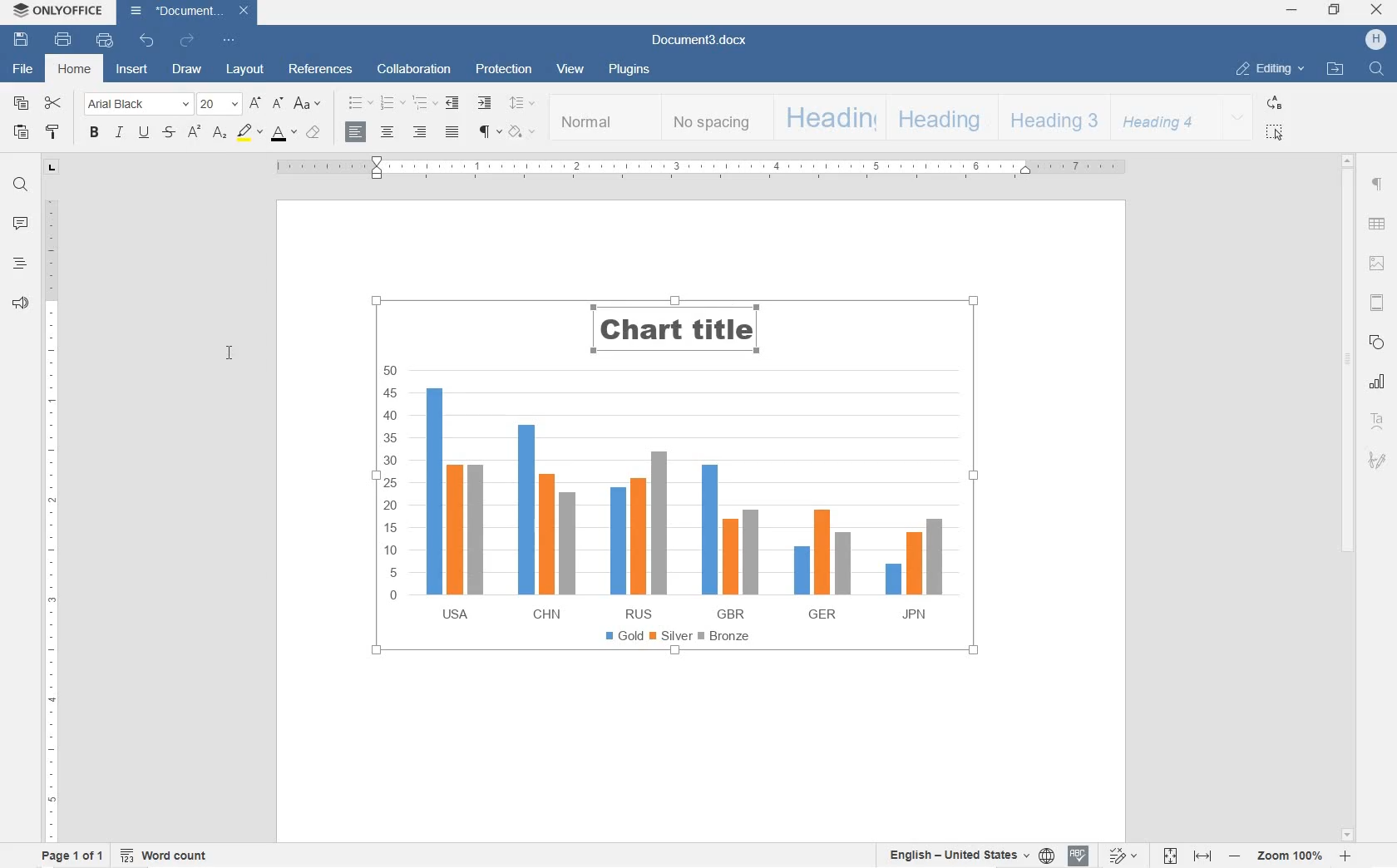 This screenshot has width=1397, height=868. Describe the element at coordinates (1376, 303) in the screenshot. I see `HEADER & FOOTERS` at that location.